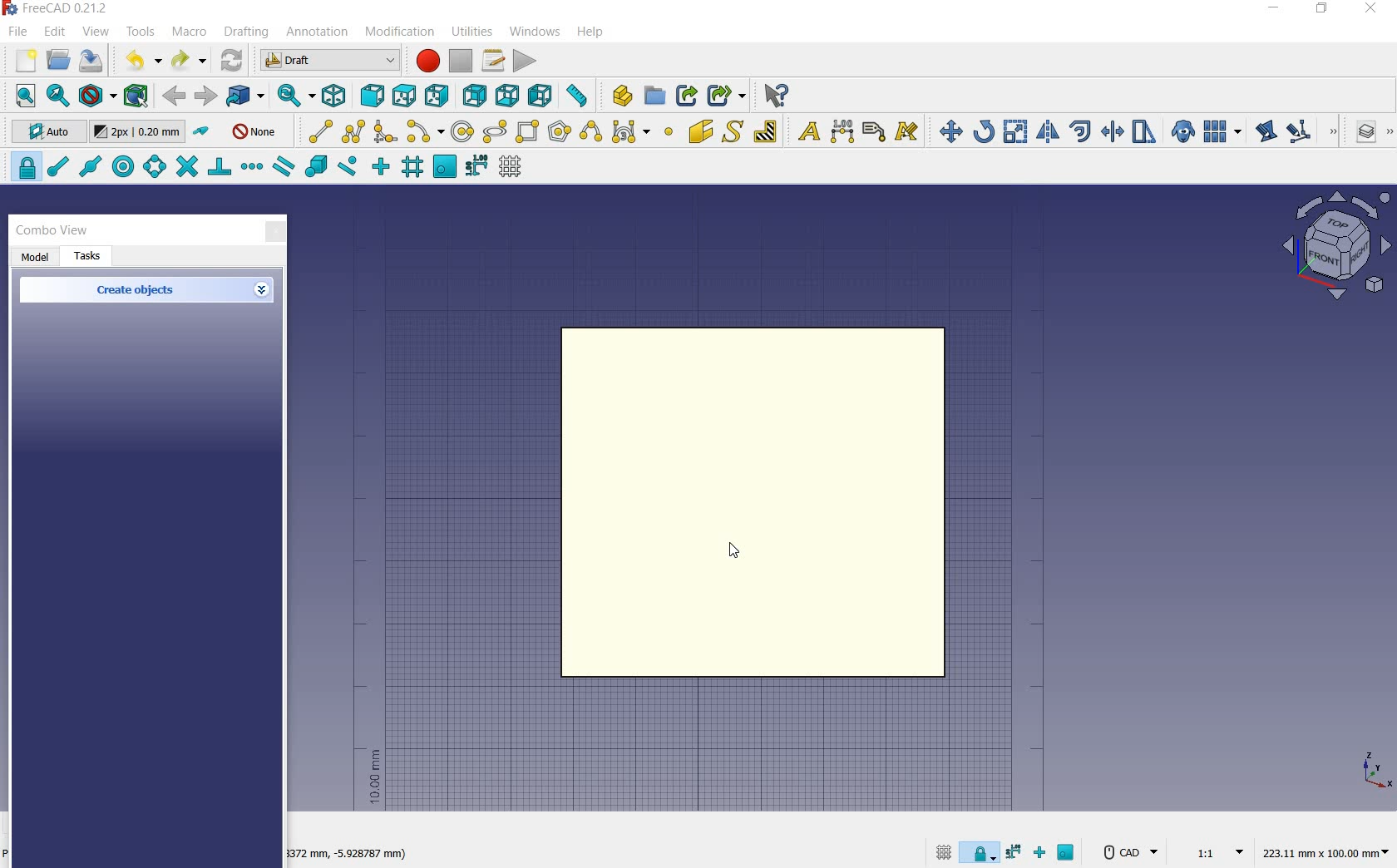  I want to click on fillet, so click(386, 132).